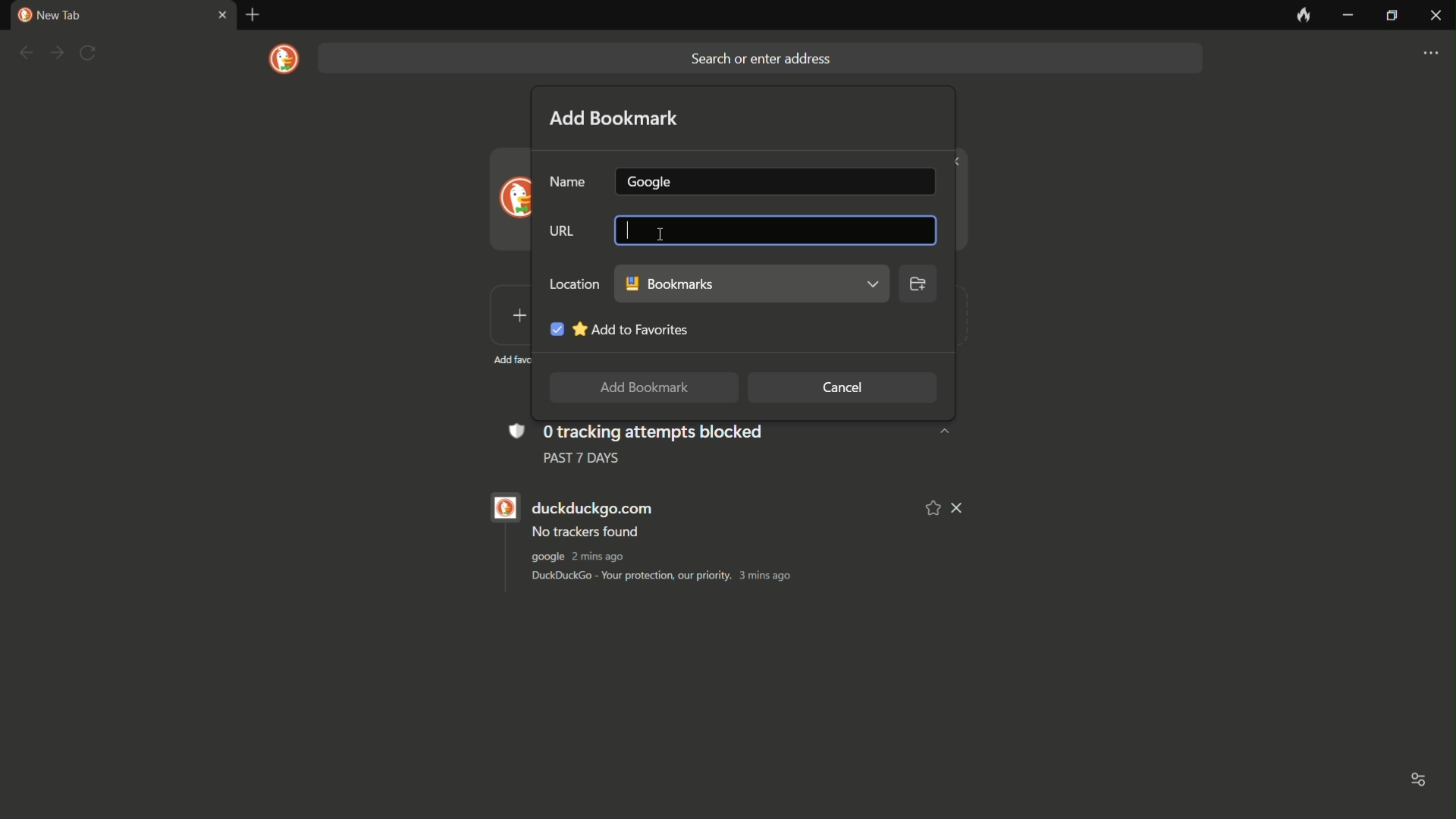 The height and width of the screenshot is (819, 1456). Describe the element at coordinates (221, 16) in the screenshot. I see `close tab` at that location.